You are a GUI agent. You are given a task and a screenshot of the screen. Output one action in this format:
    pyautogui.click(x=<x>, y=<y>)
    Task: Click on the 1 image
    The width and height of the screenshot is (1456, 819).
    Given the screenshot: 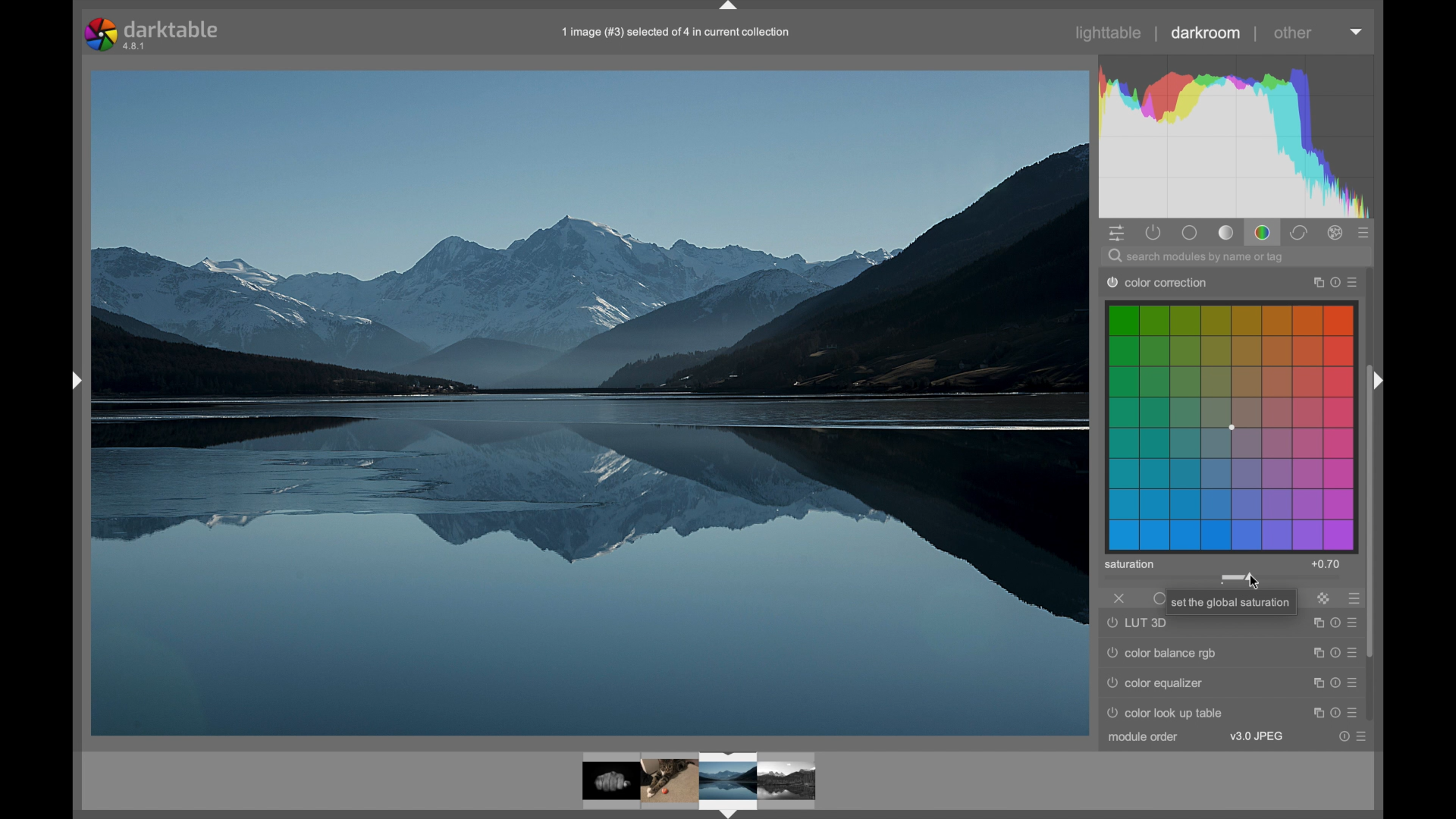 What is the action you would take?
    pyautogui.click(x=677, y=33)
    